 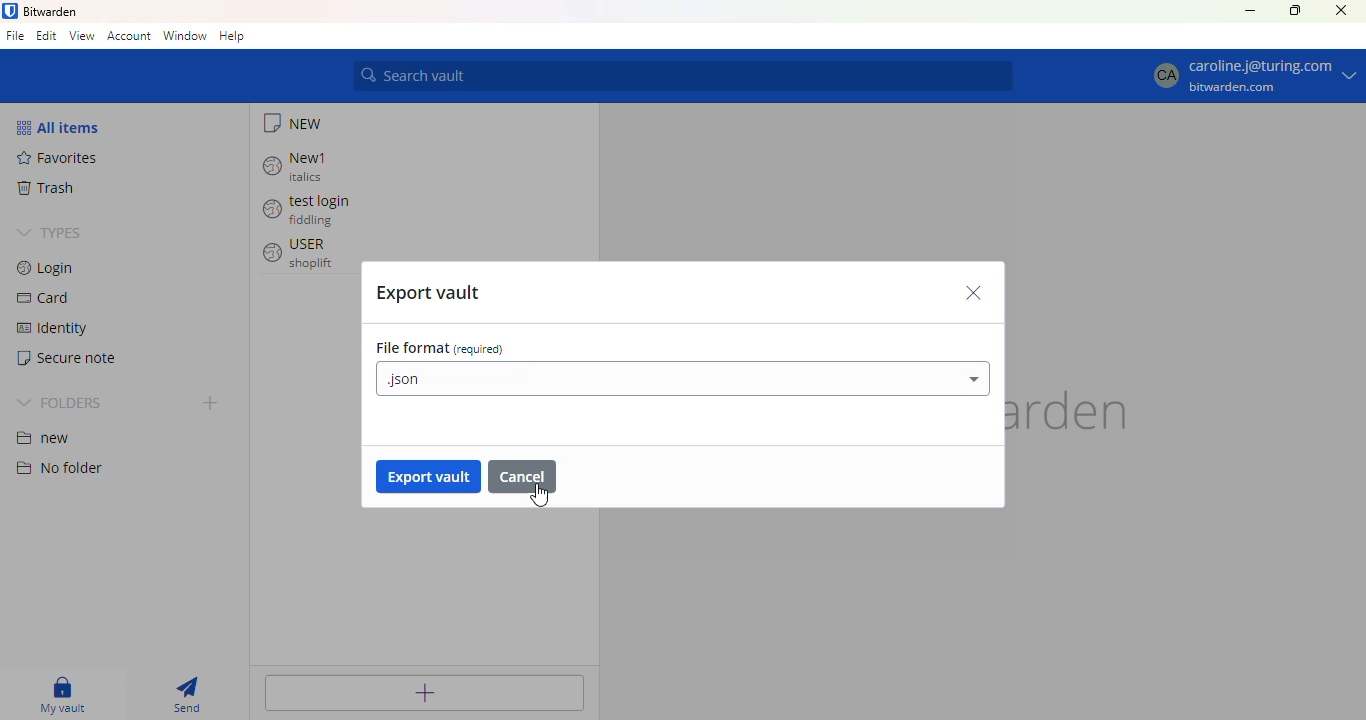 I want to click on secure note, so click(x=66, y=358).